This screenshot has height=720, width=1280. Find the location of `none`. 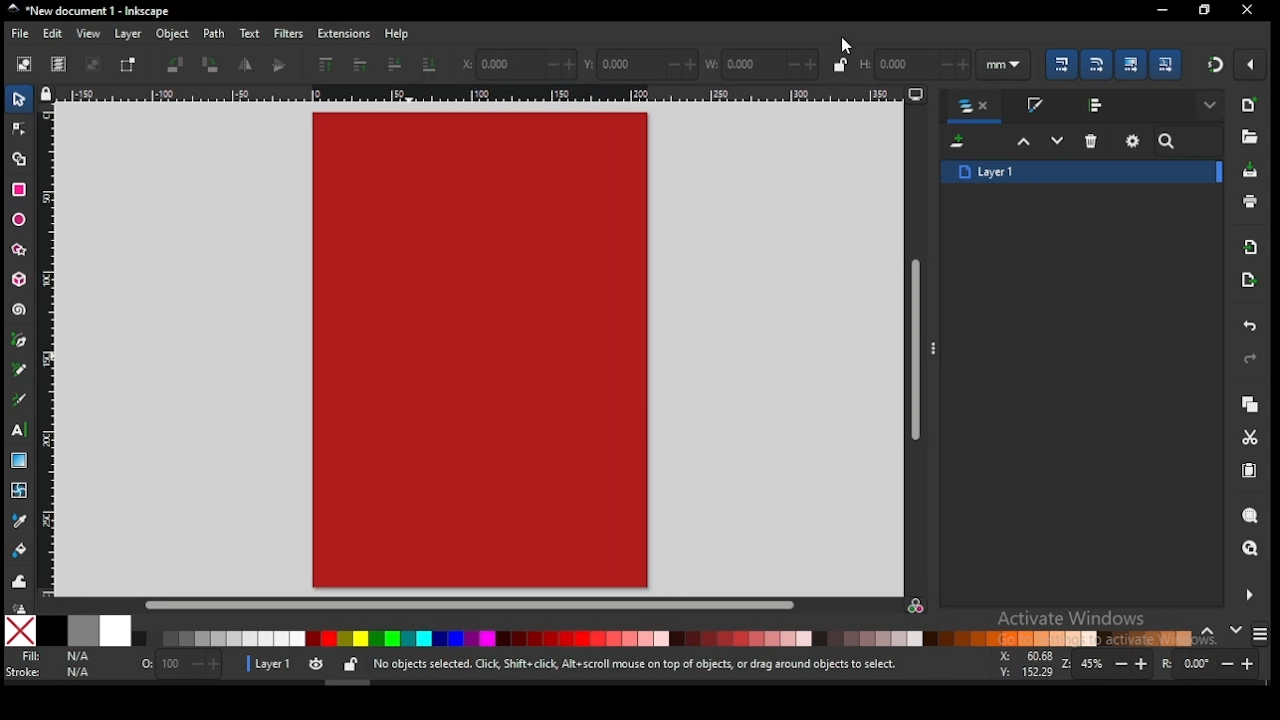

none is located at coordinates (20, 631).